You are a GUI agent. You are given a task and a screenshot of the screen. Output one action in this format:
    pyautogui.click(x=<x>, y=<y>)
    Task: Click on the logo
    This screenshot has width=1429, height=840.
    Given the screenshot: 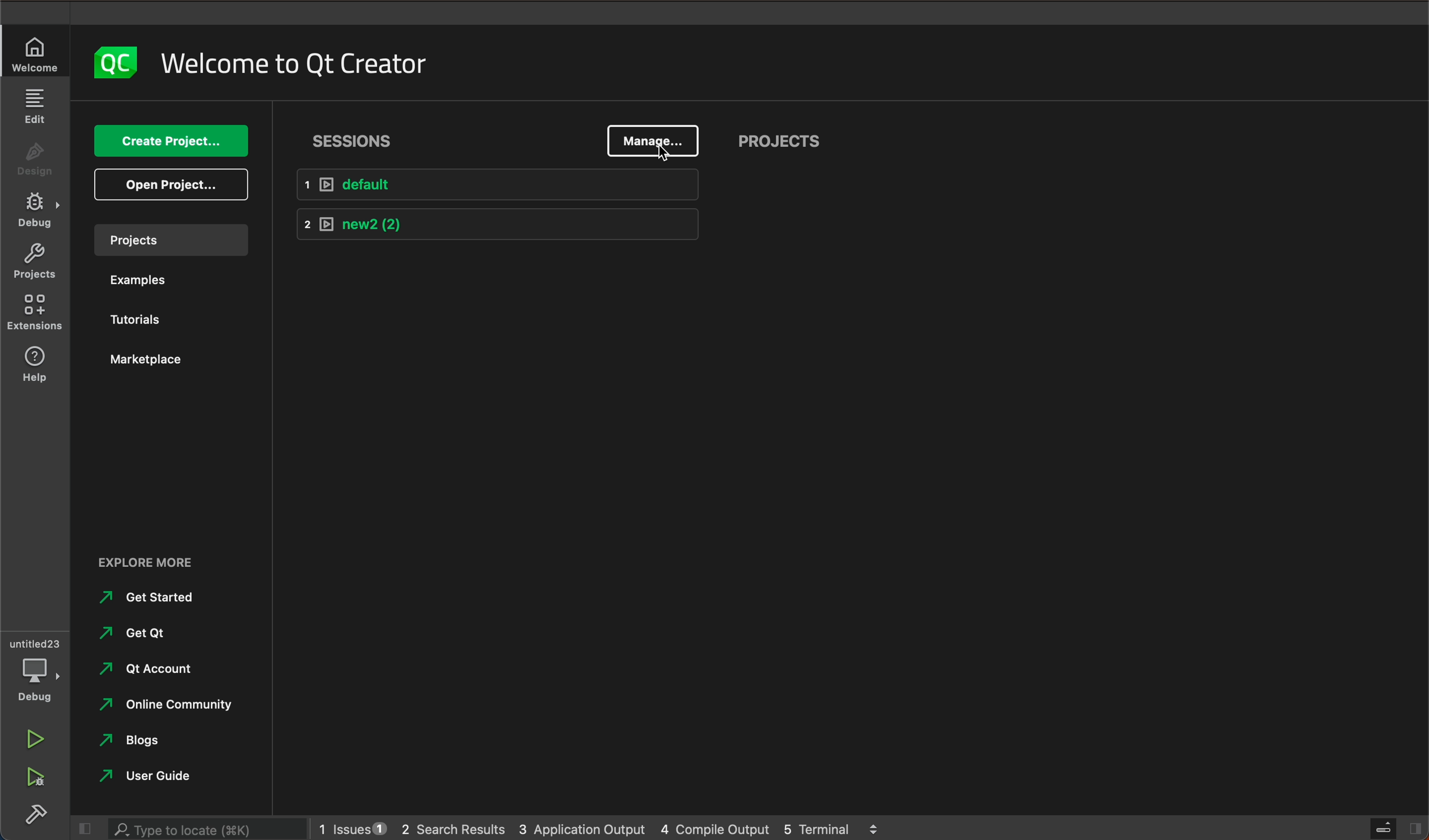 What is the action you would take?
    pyautogui.click(x=113, y=62)
    